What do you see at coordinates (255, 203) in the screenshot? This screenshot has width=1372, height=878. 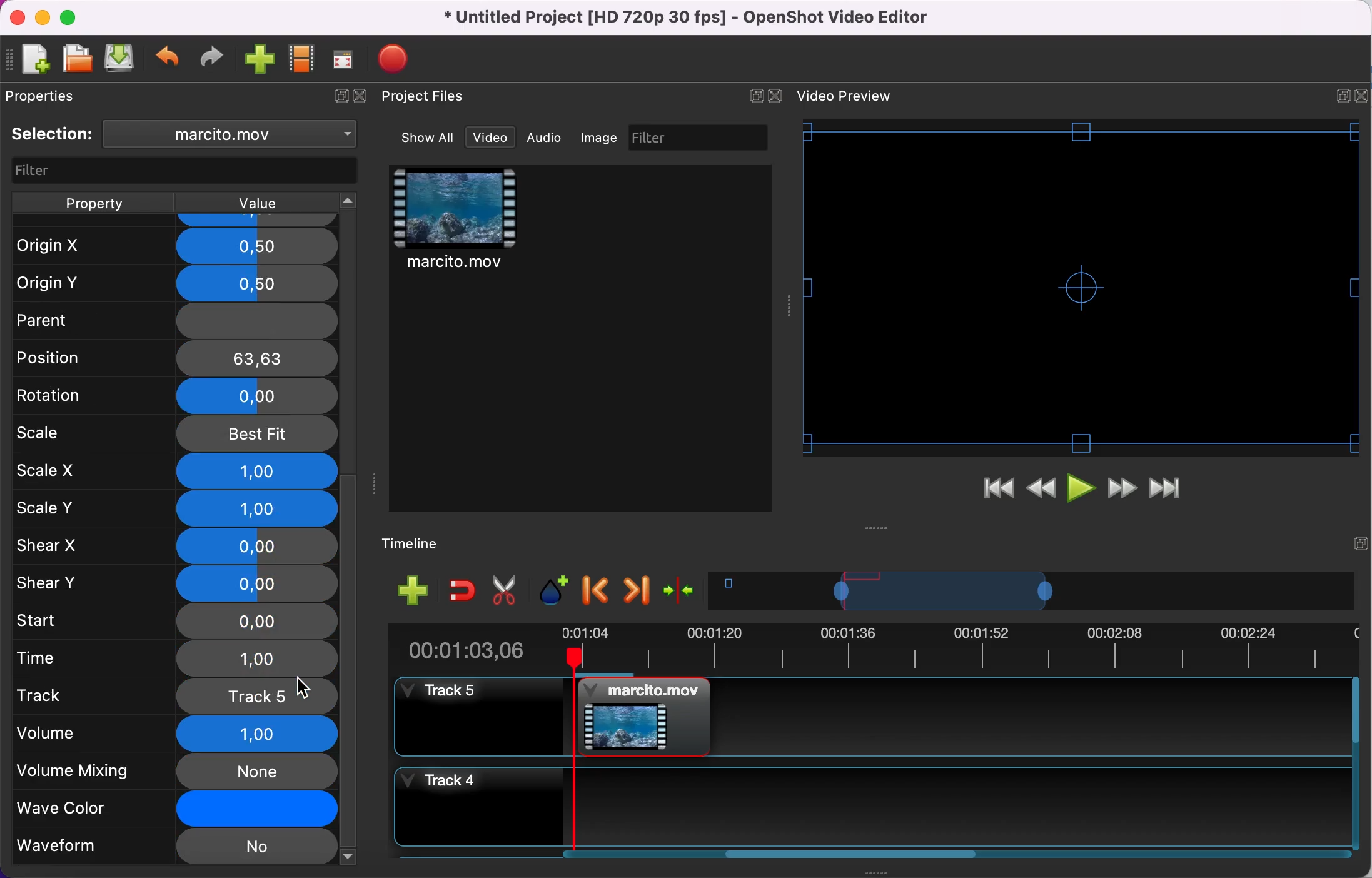 I see `value` at bounding box center [255, 203].